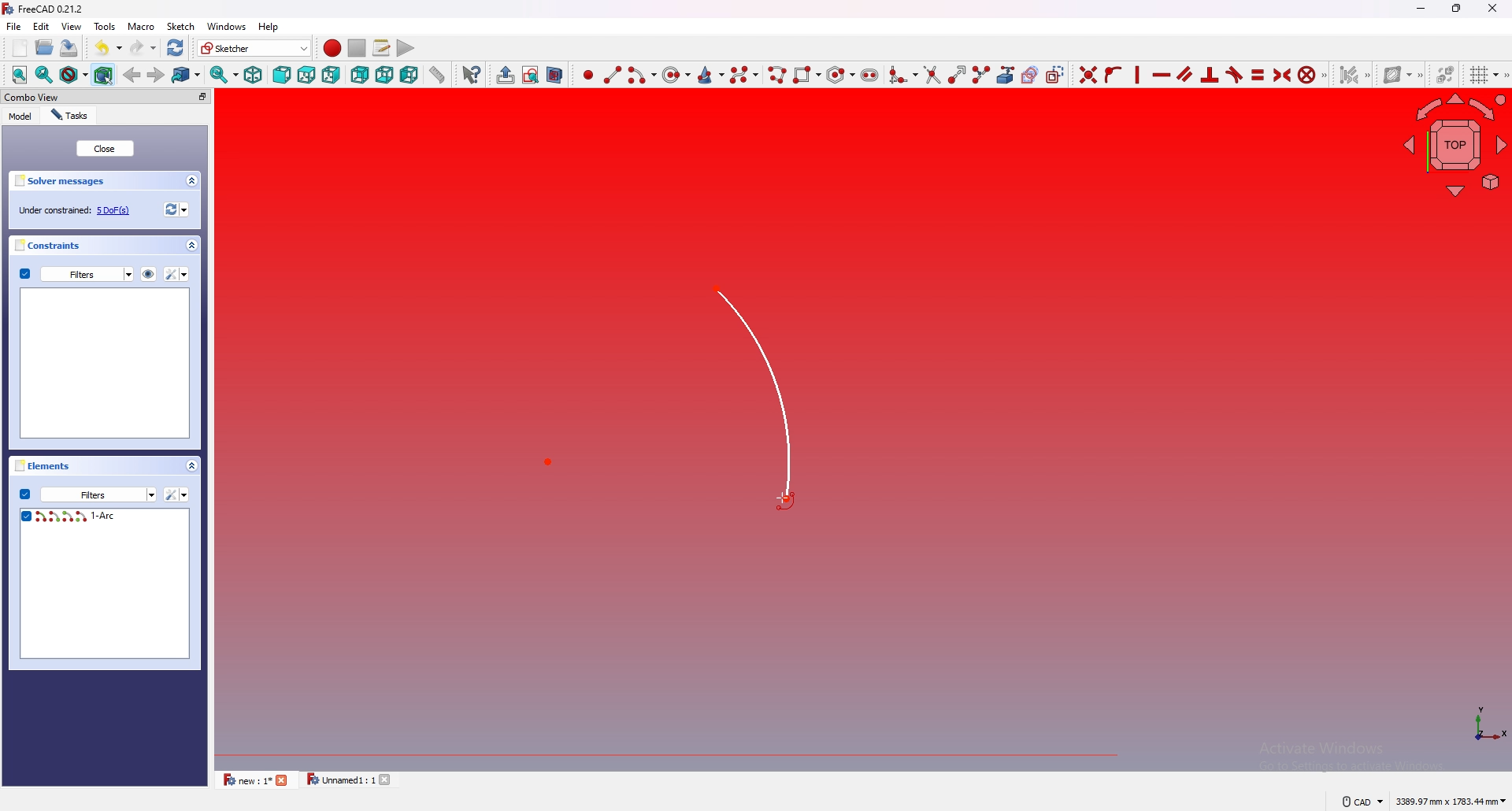 The image size is (1512, 811). Describe the element at coordinates (224, 74) in the screenshot. I see `synced view` at that location.